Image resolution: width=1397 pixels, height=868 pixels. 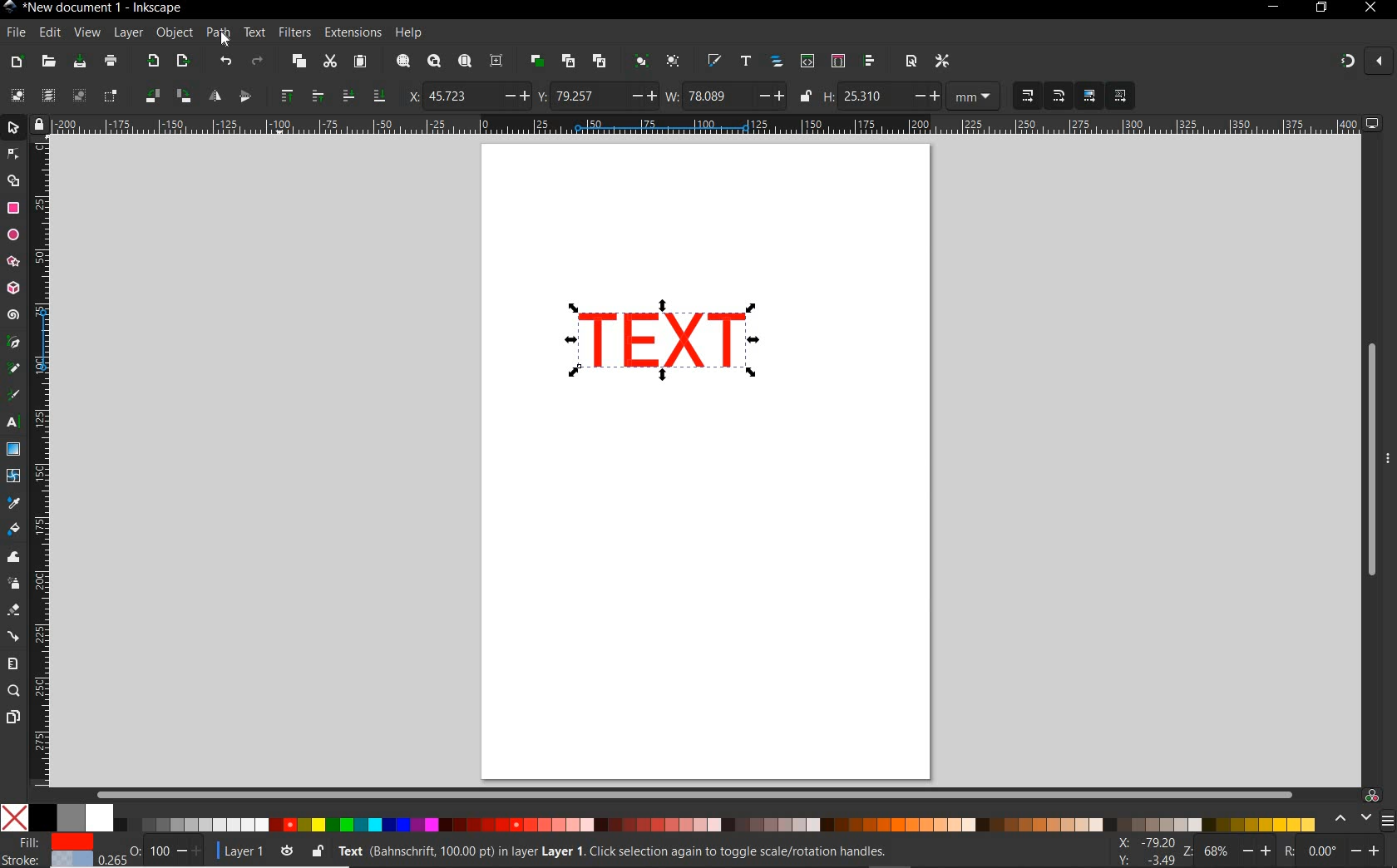 What do you see at coordinates (1271, 7) in the screenshot?
I see `MINIMIZE` at bounding box center [1271, 7].